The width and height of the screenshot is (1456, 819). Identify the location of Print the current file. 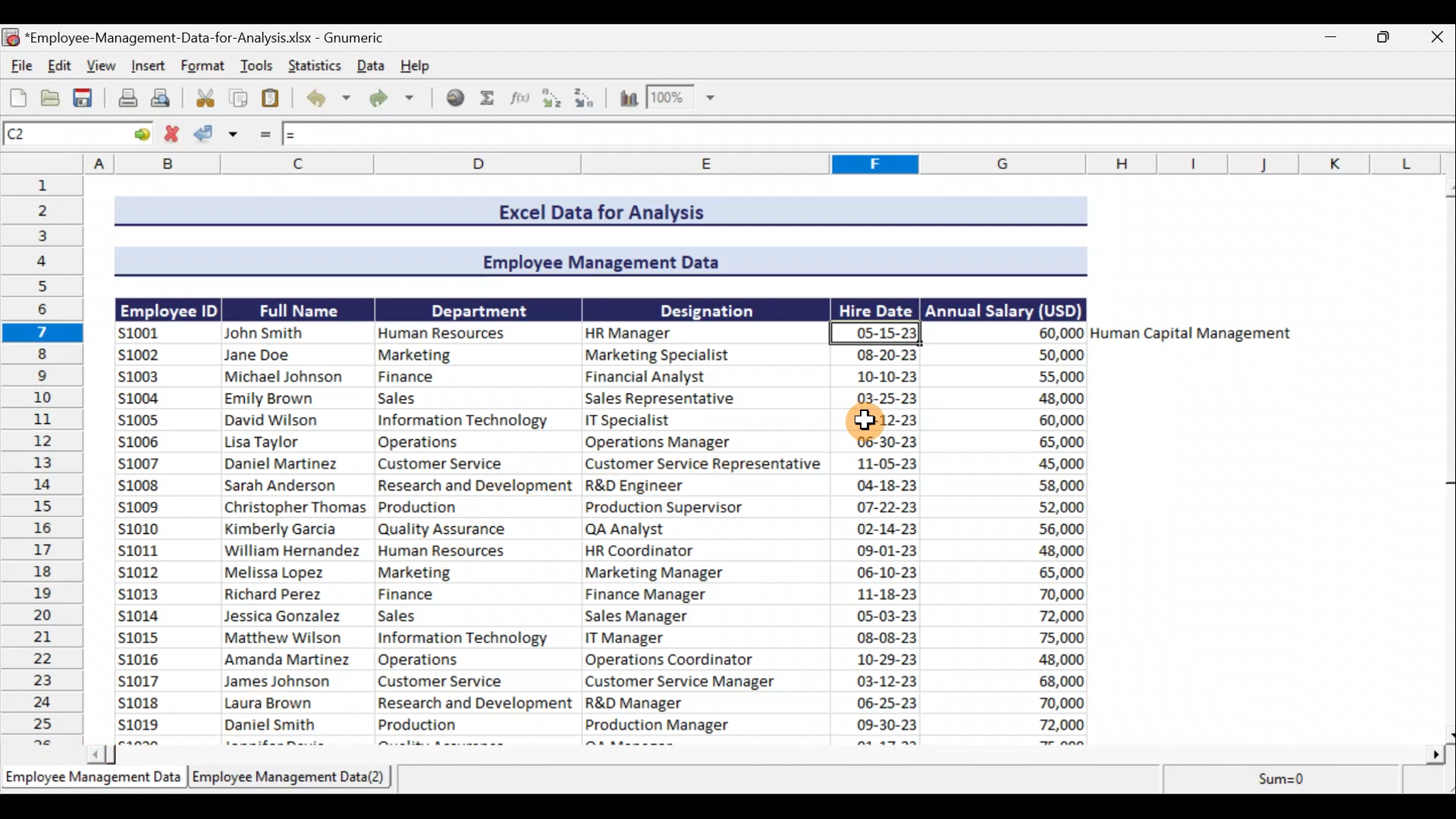
(124, 99).